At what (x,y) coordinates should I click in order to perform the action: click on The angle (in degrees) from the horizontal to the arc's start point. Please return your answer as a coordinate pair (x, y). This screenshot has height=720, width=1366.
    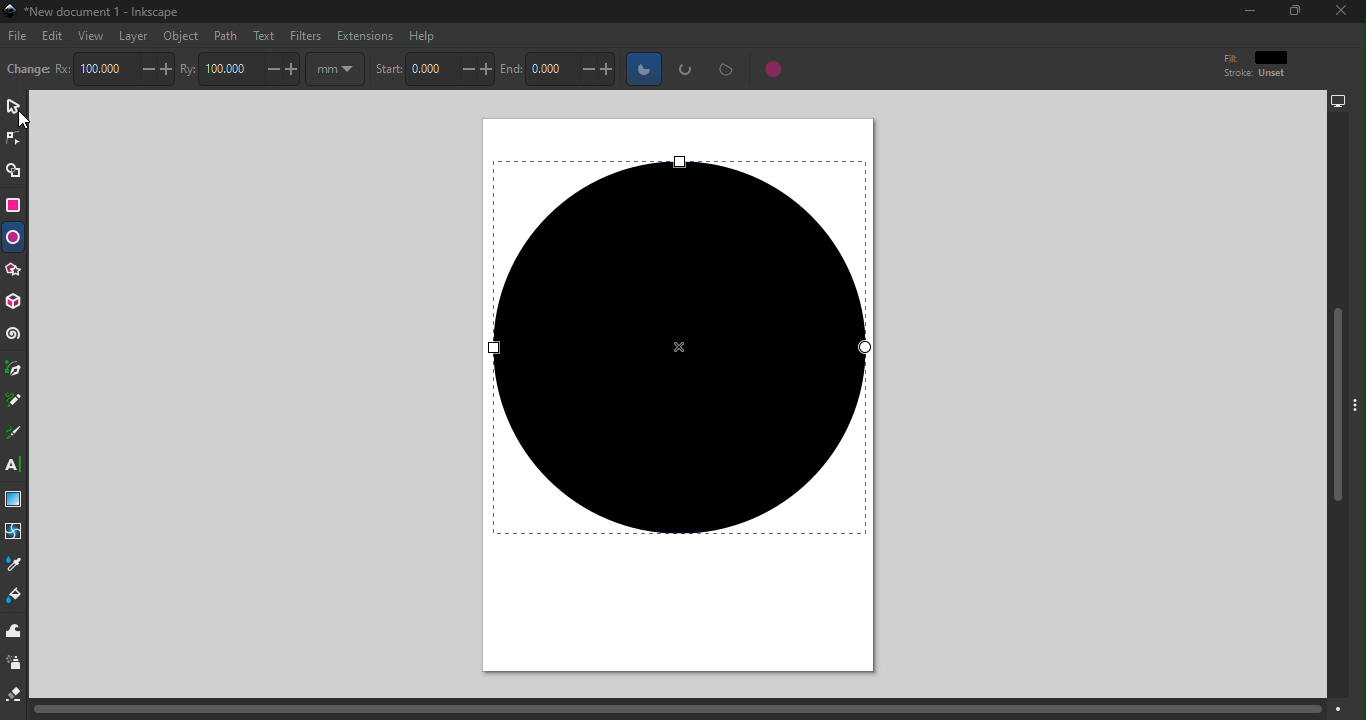
    Looking at the image, I should click on (448, 69).